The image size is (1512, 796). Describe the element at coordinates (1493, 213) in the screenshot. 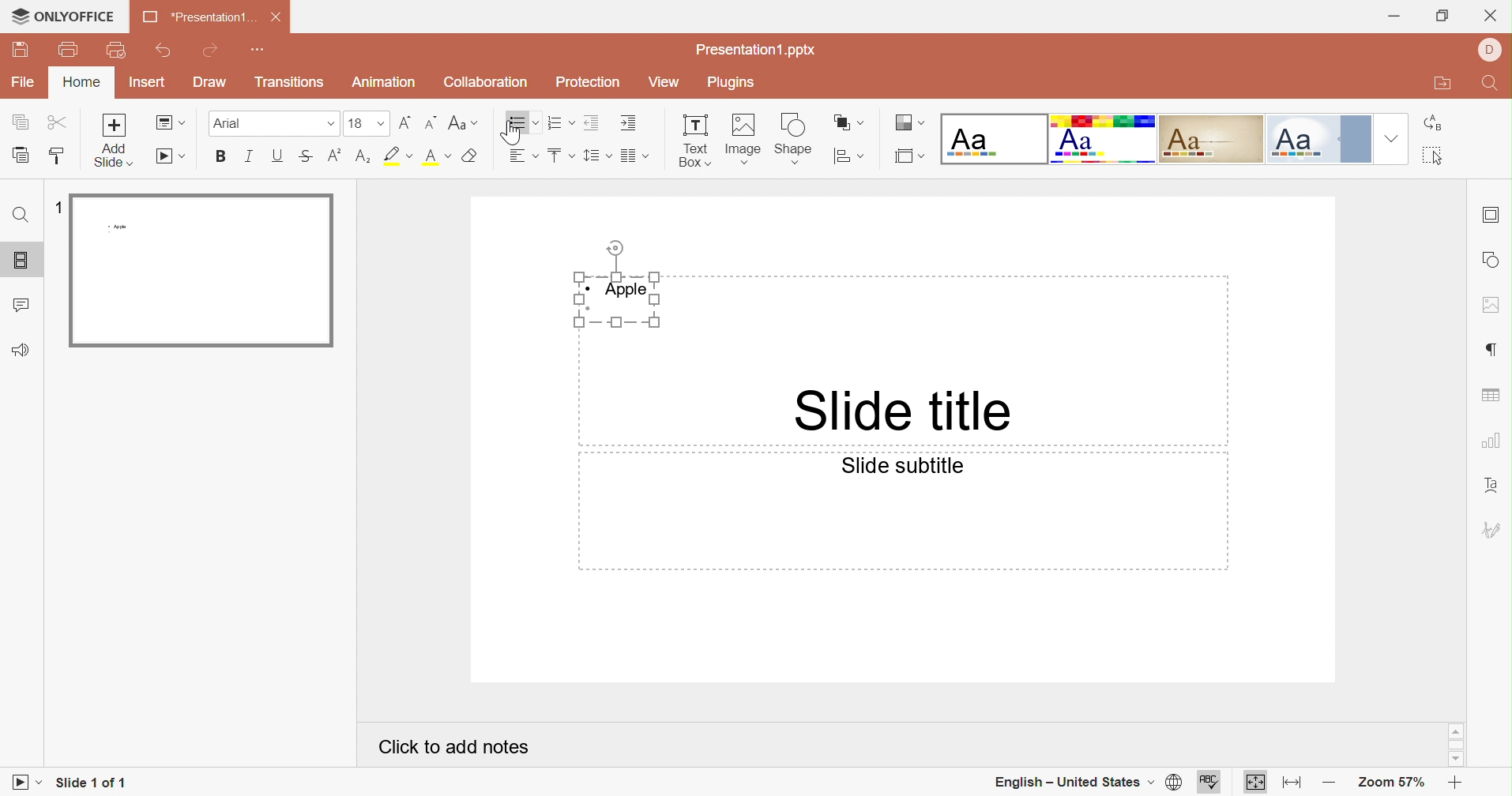

I see `slide settings` at that location.